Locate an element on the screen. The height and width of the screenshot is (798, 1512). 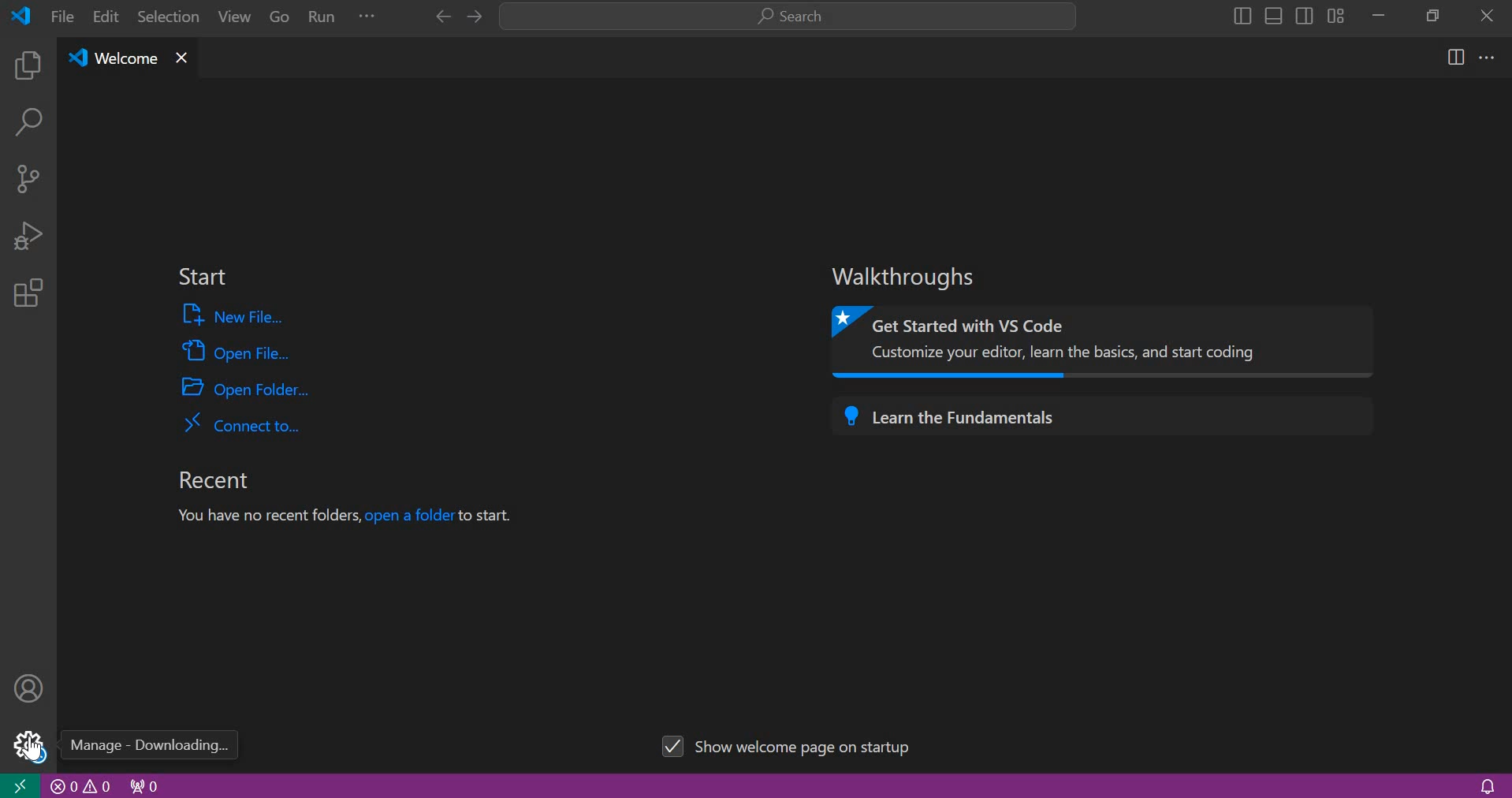
open a remote window is located at coordinates (19, 785).